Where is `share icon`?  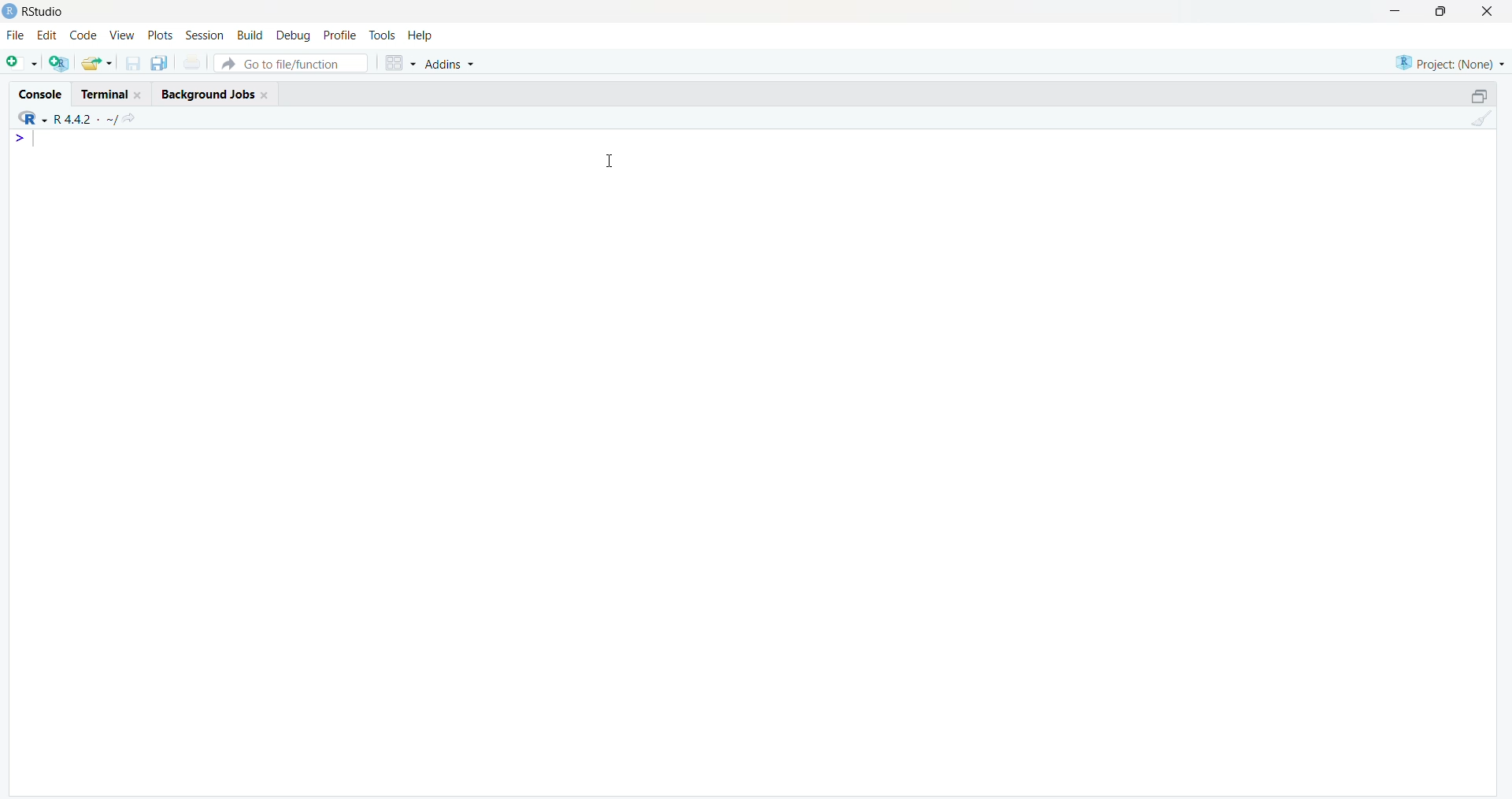
share icon is located at coordinates (129, 120).